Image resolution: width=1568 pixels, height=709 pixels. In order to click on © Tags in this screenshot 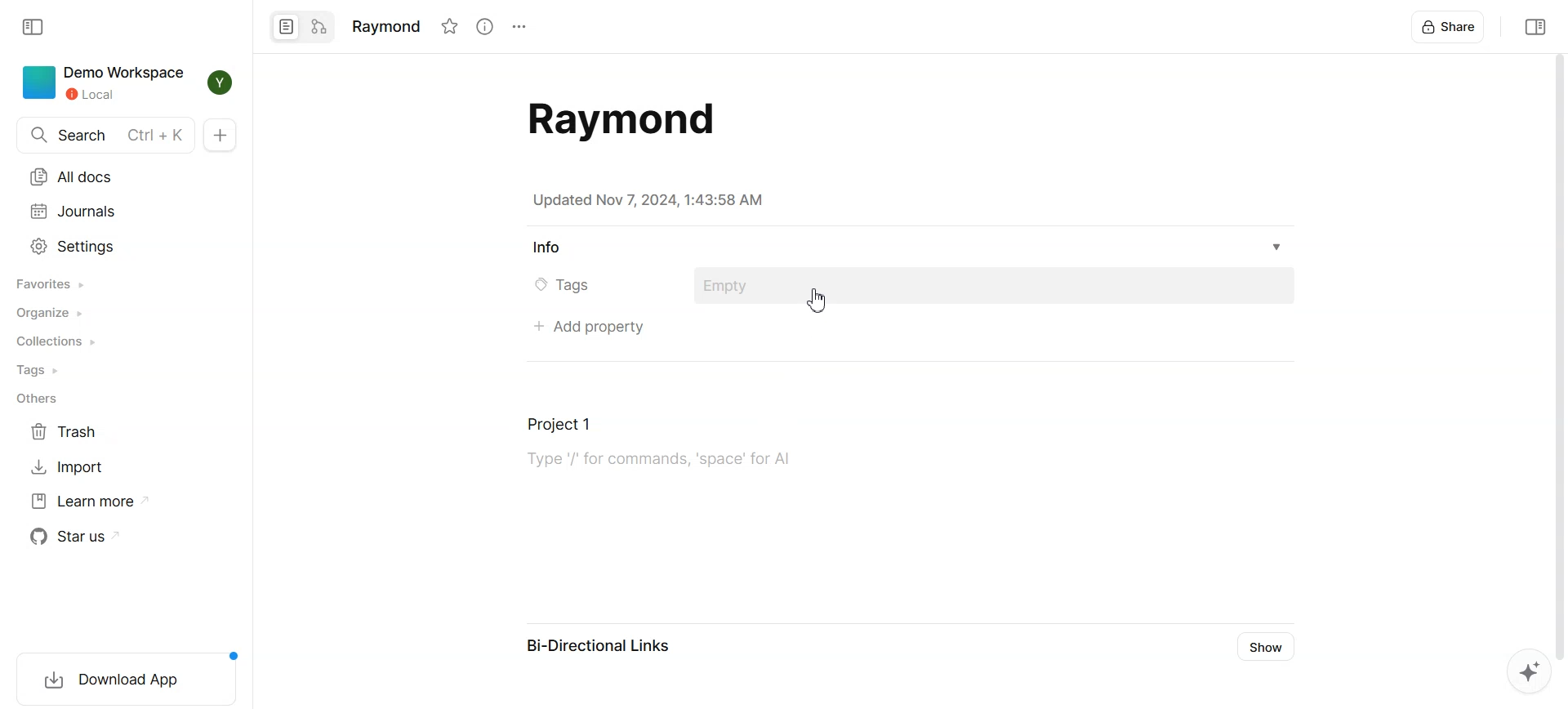, I will do `click(573, 286)`.